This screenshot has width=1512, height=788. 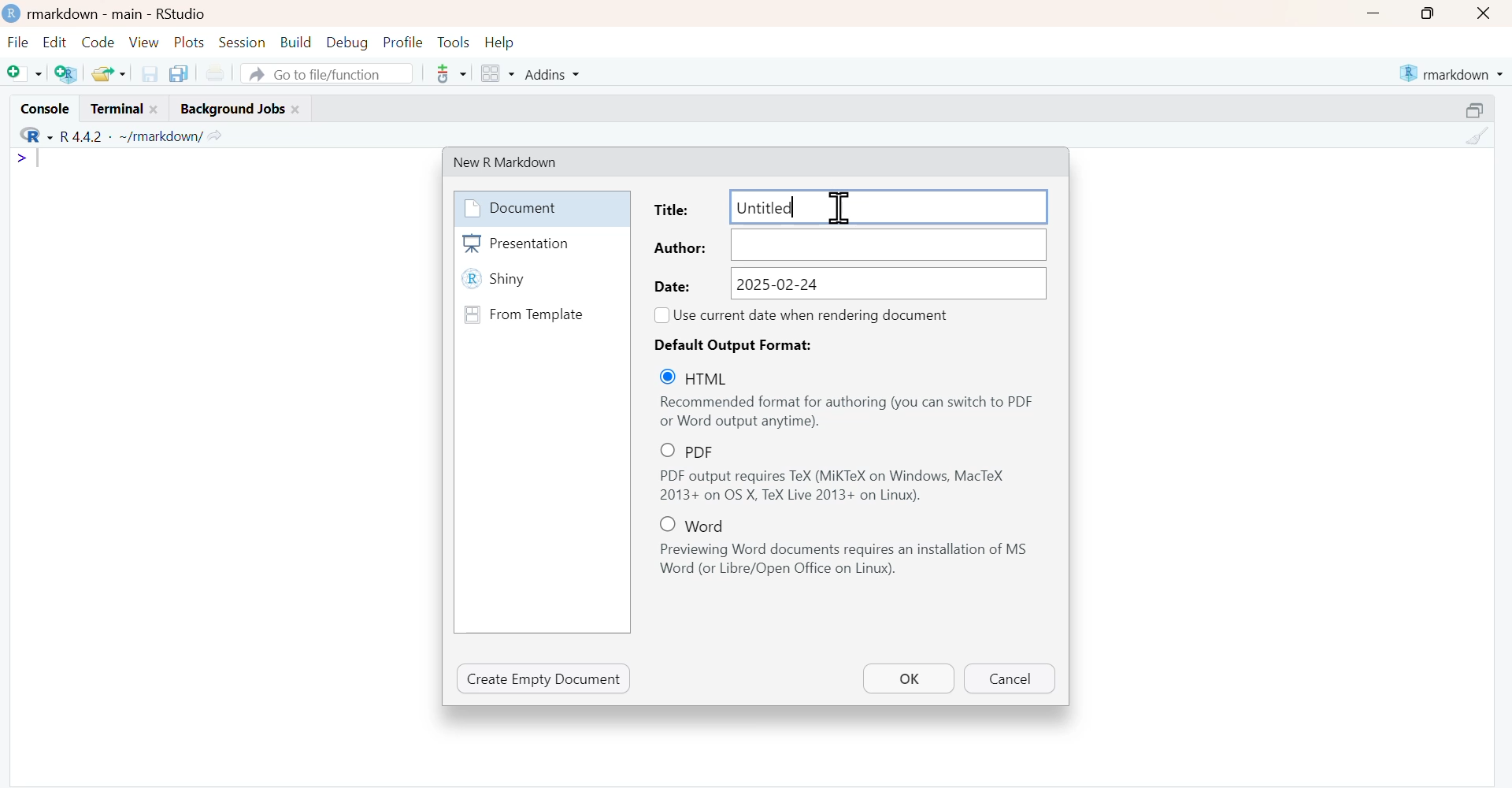 I want to click on Code, so click(x=98, y=43).